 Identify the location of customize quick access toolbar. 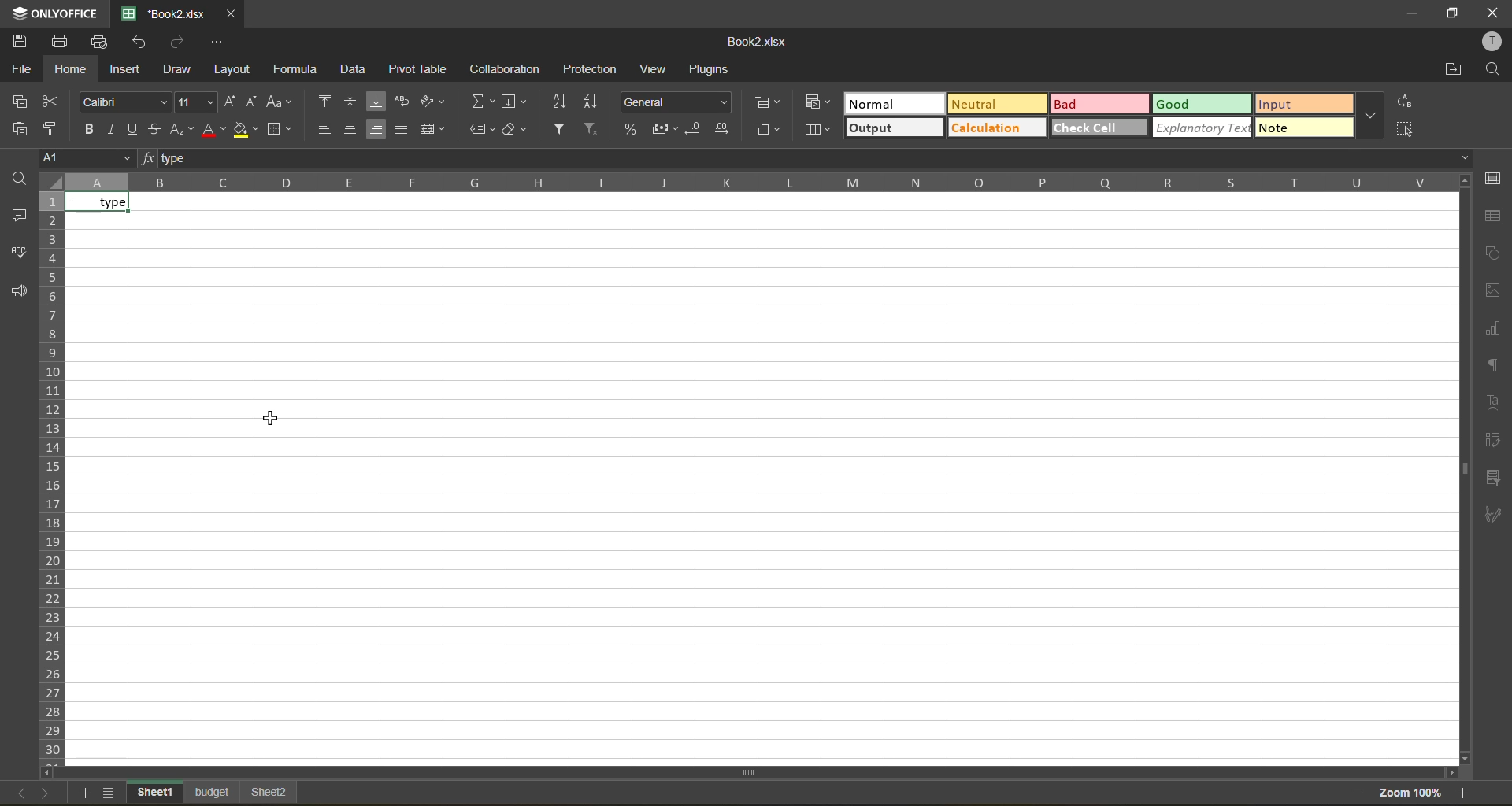
(215, 39).